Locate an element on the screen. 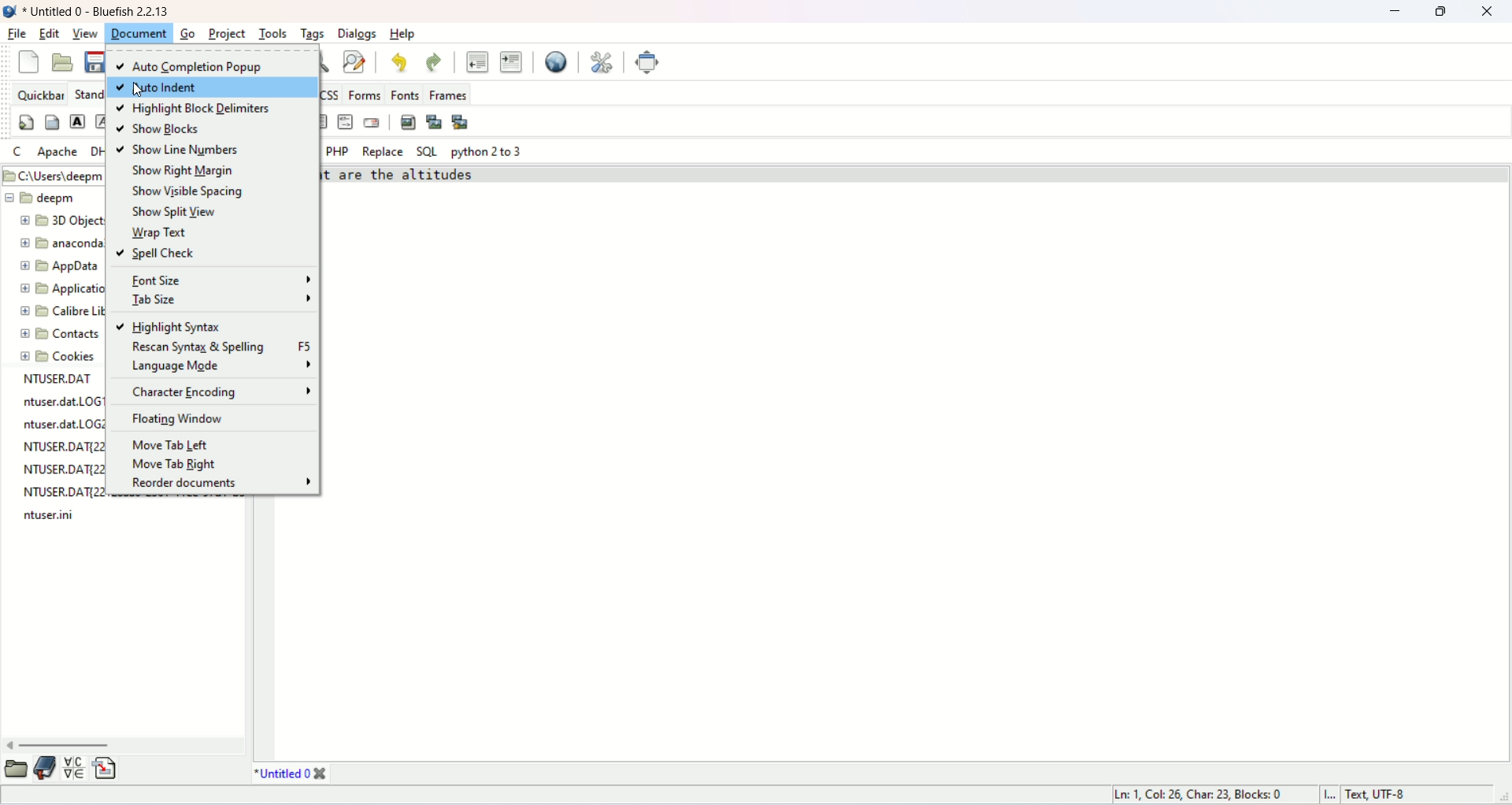  help is located at coordinates (403, 34).